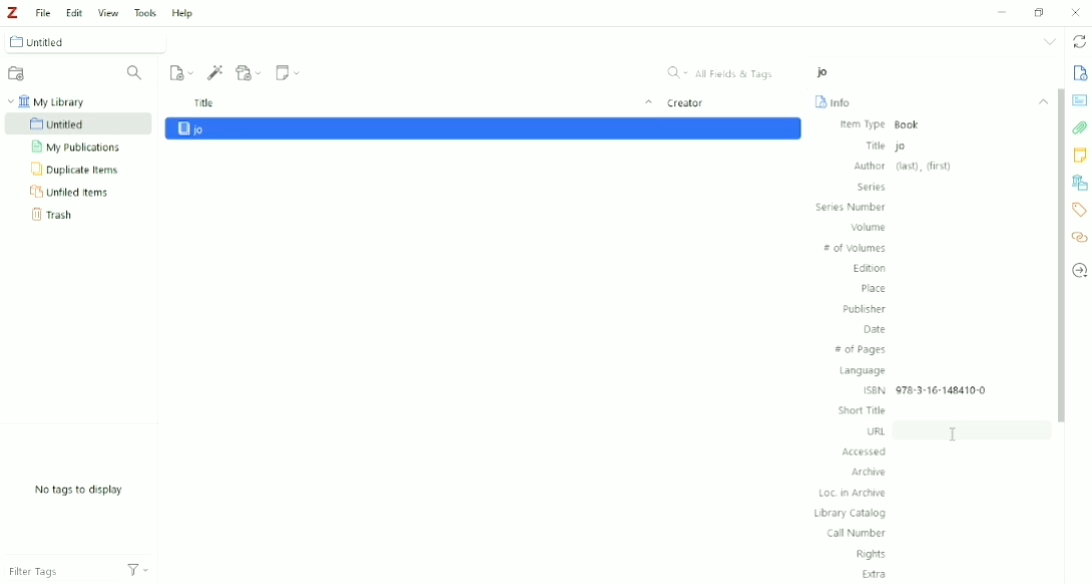 The width and height of the screenshot is (1092, 584). Describe the element at coordinates (42, 12) in the screenshot. I see `File` at that location.